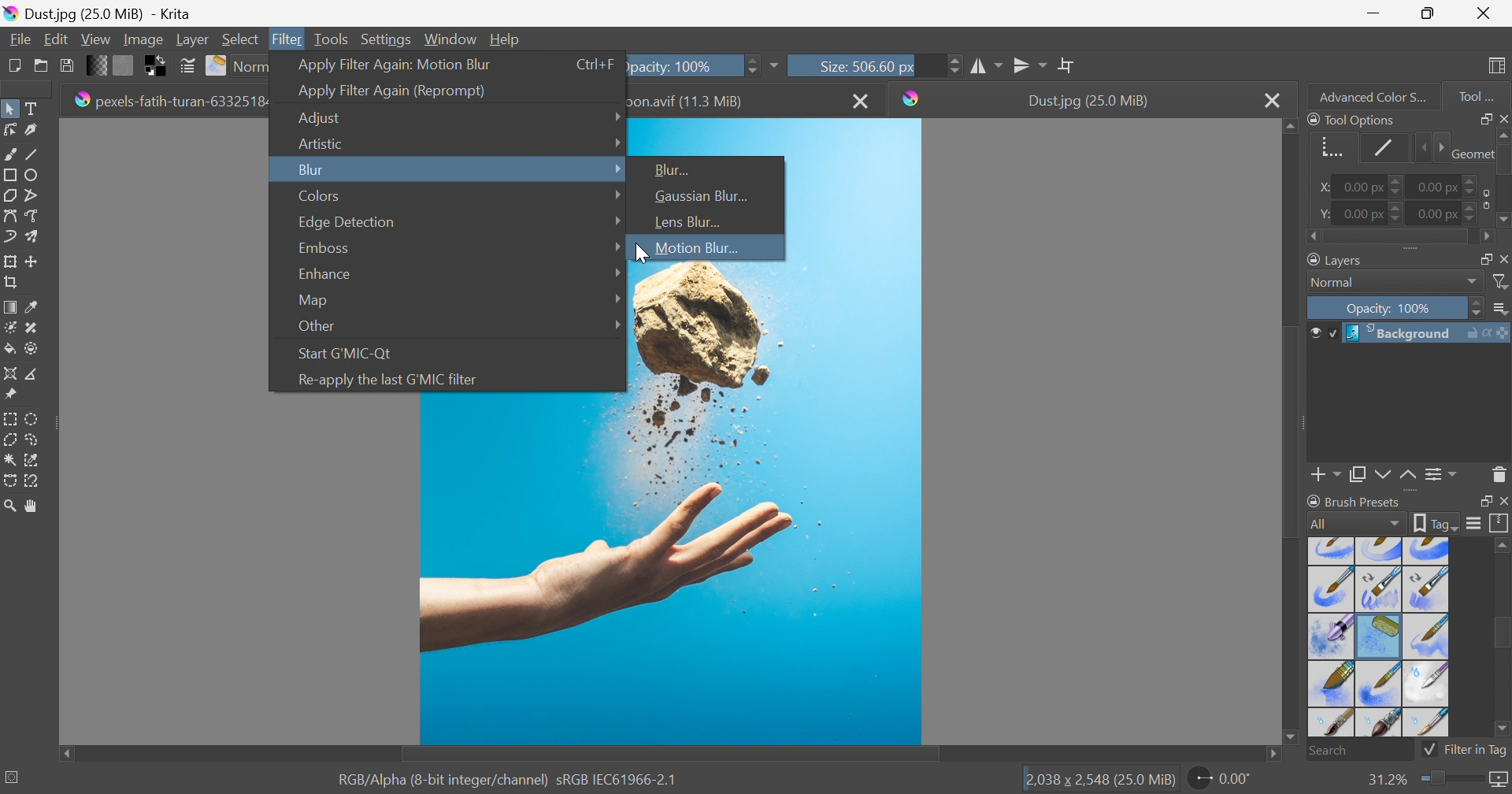 This screenshot has width=1512, height=794. What do you see at coordinates (615, 220) in the screenshot?
I see `Drop Down` at bounding box center [615, 220].